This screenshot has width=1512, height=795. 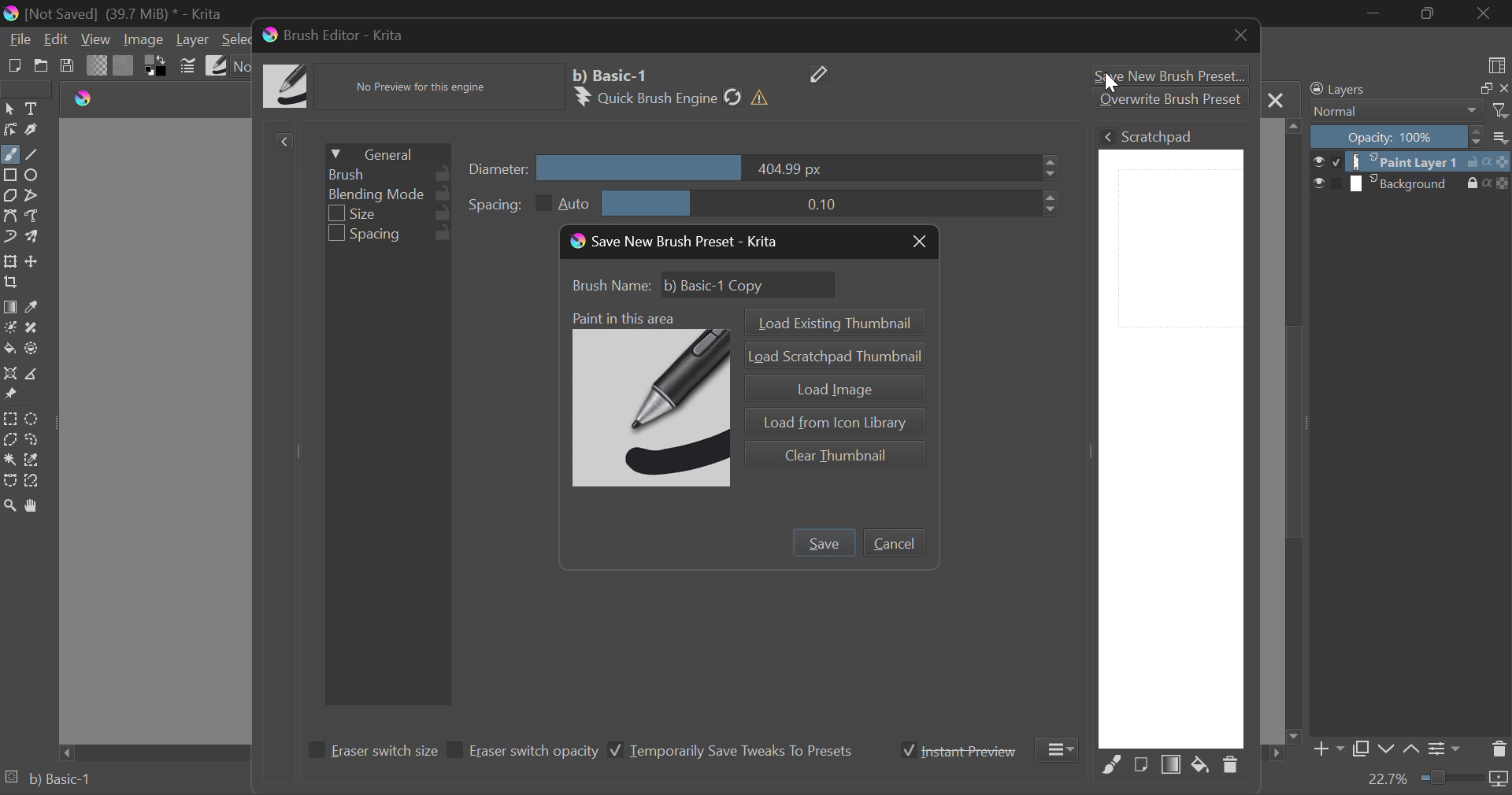 I want to click on Bezier Curve, so click(x=13, y=216).